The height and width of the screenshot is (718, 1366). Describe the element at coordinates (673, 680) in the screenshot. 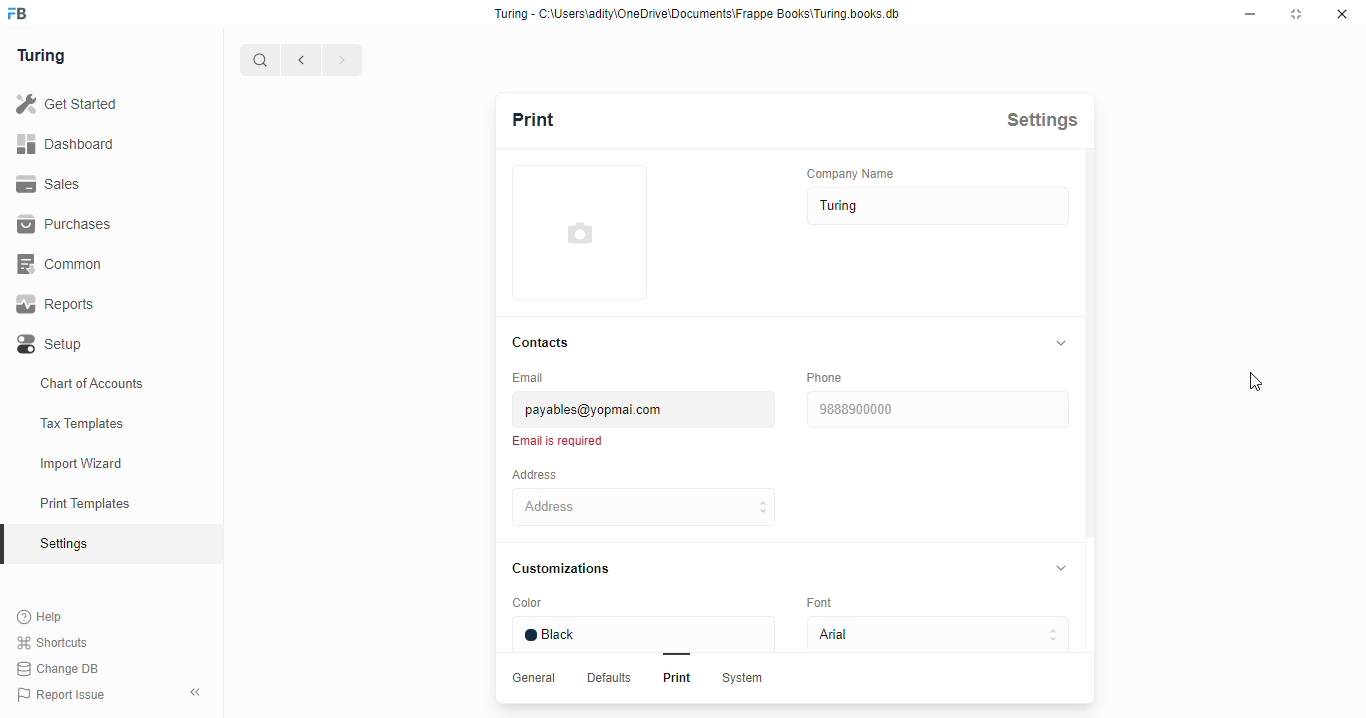

I see `Print` at that location.